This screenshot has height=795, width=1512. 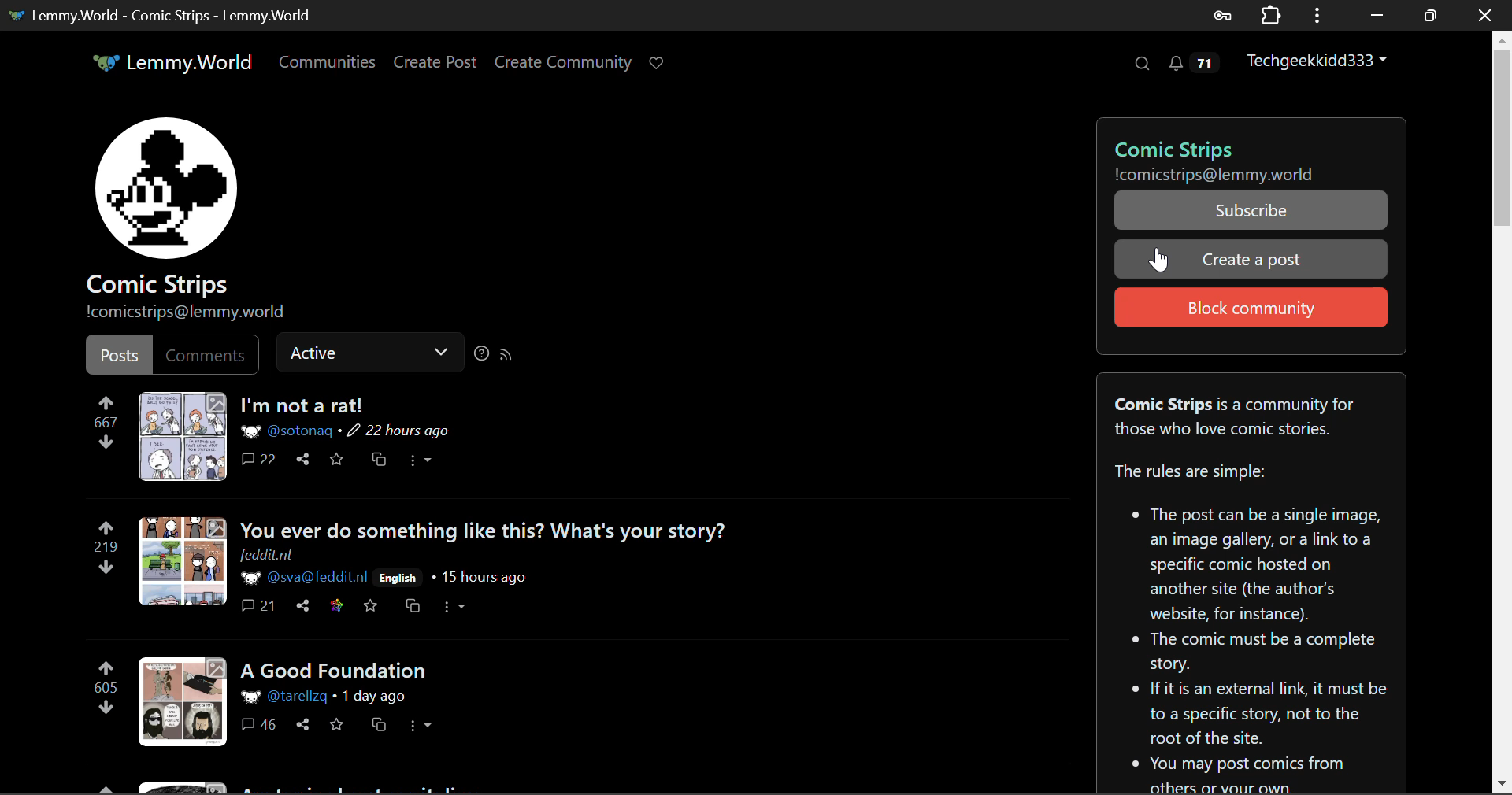 I want to click on English, so click(x=398, y=579).